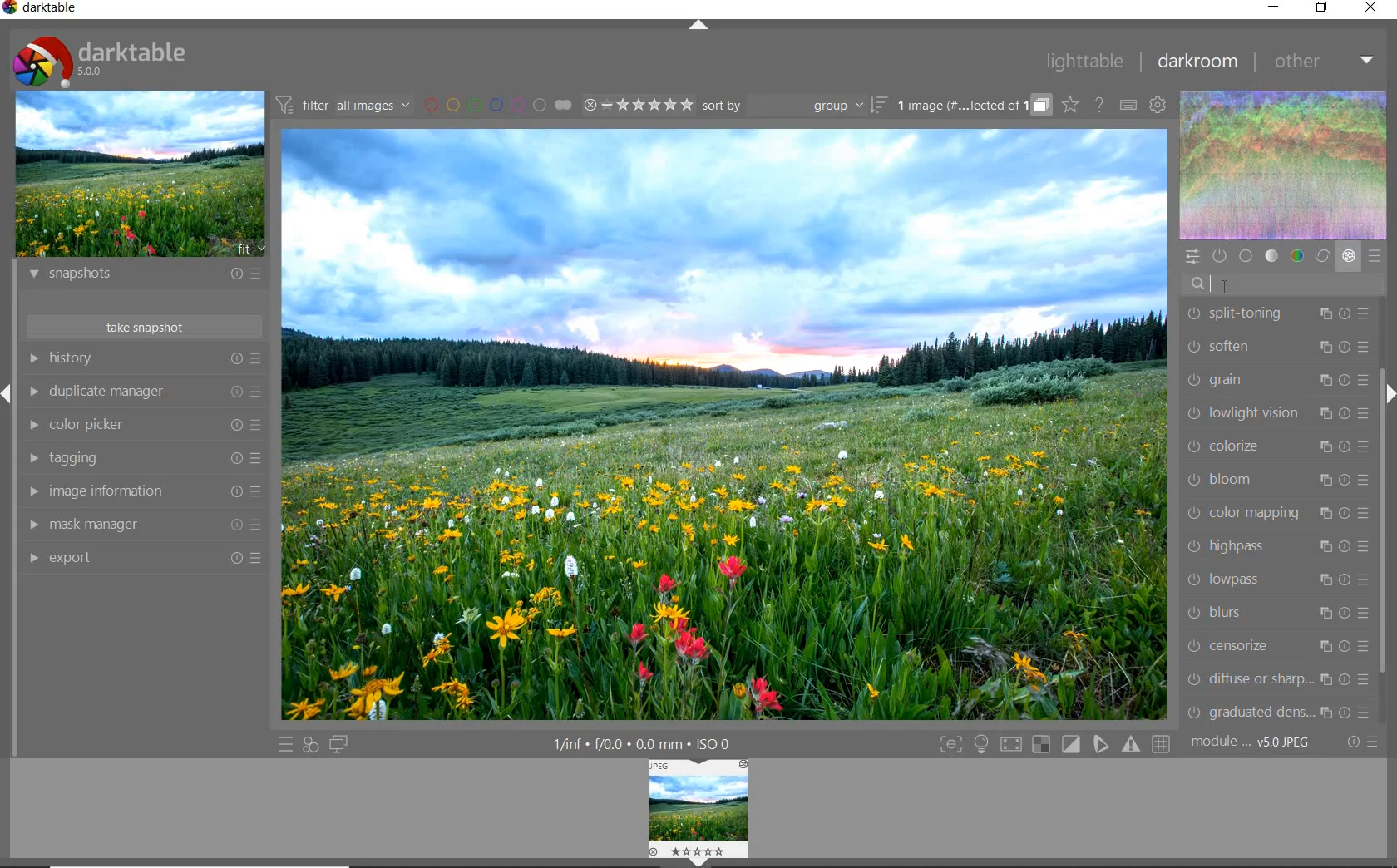 Image resolution: width=1397 pixels, height=868 pixels. Describe the element at coordinates (142, 557) in the screenshot. I see `export` at that location.